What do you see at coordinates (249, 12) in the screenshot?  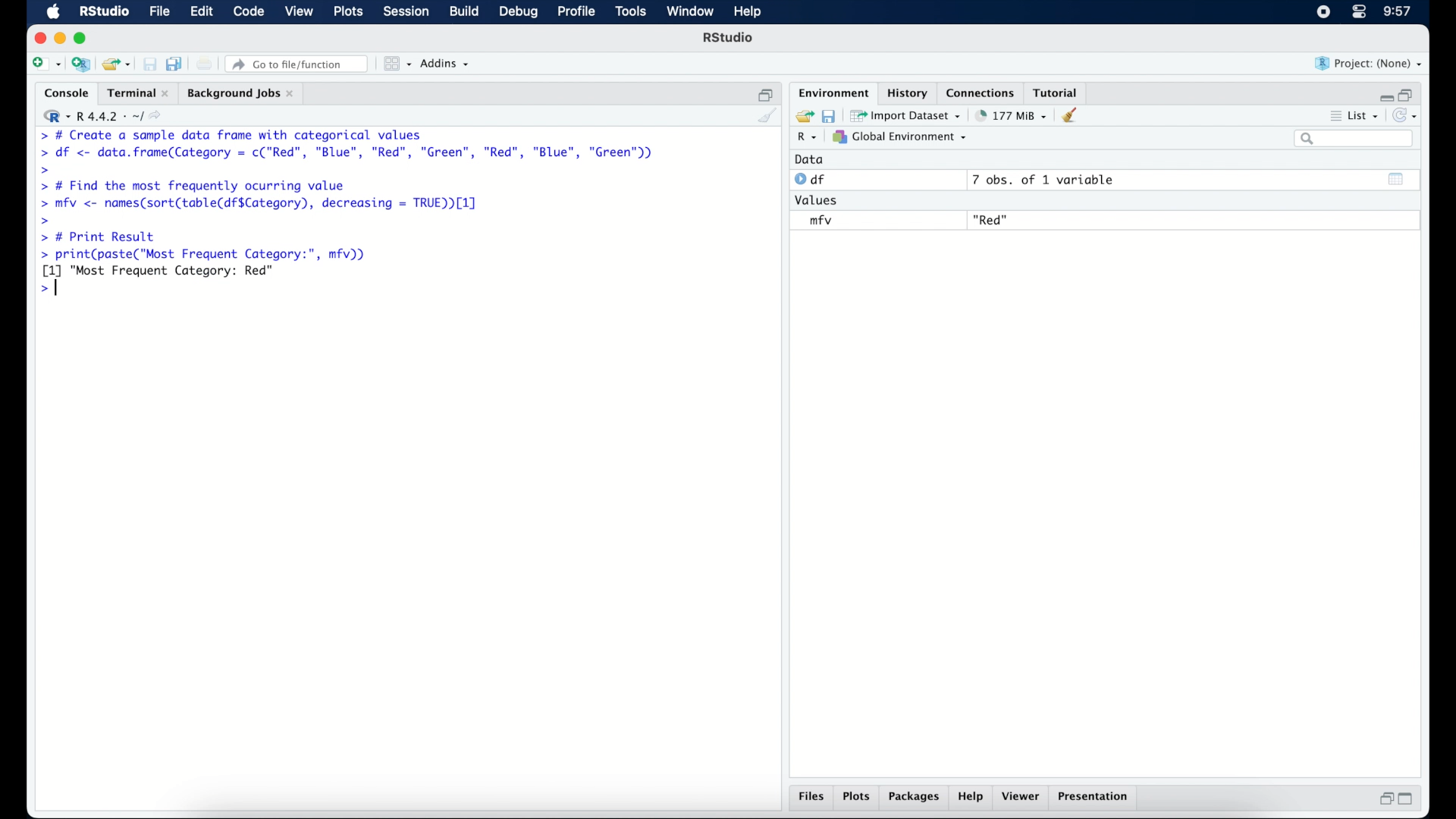 I see `code` at bounding box center [249, 12].